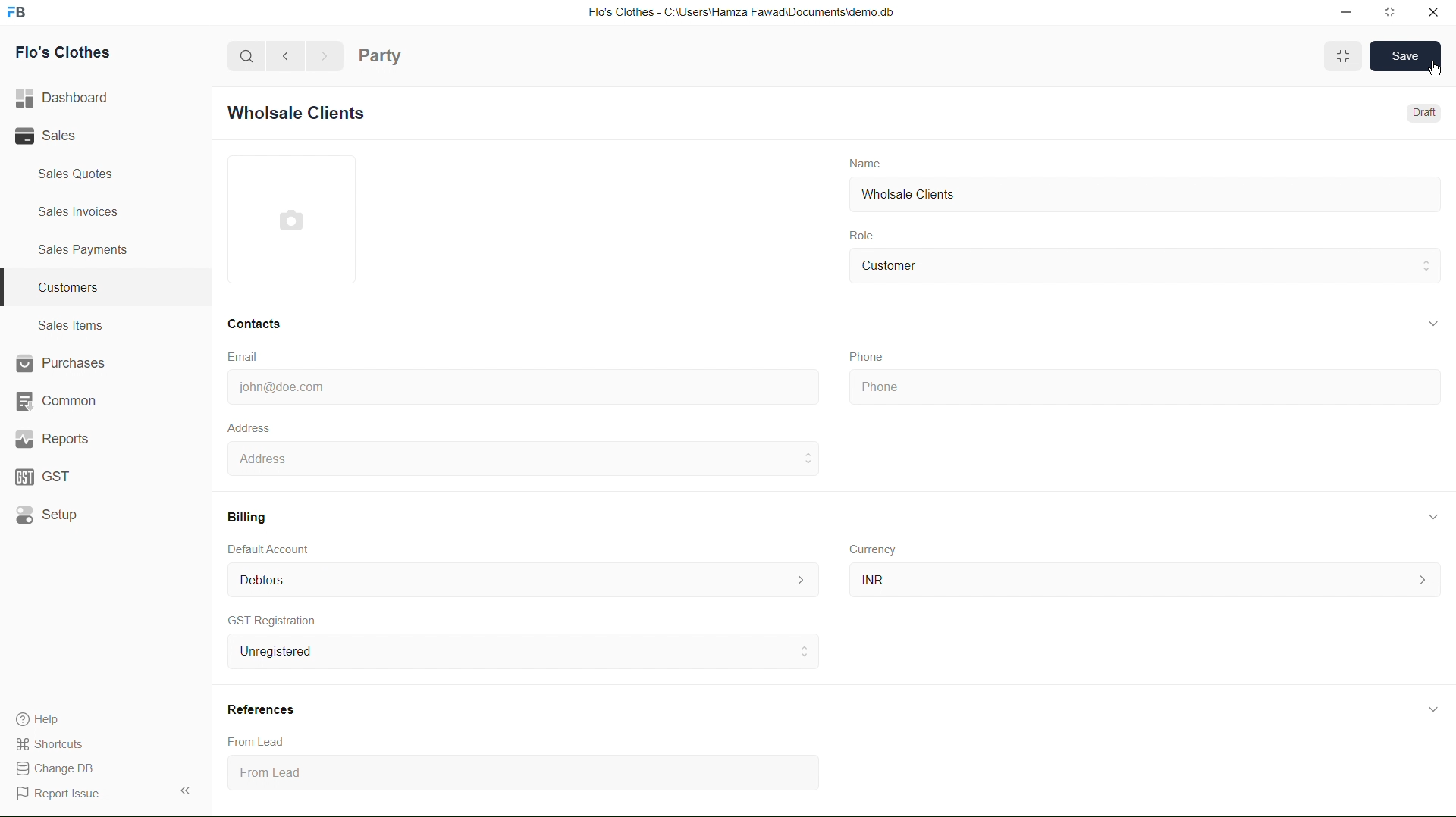 The image size is (1456, 817). I want to click on Expand, so click(187, 789).